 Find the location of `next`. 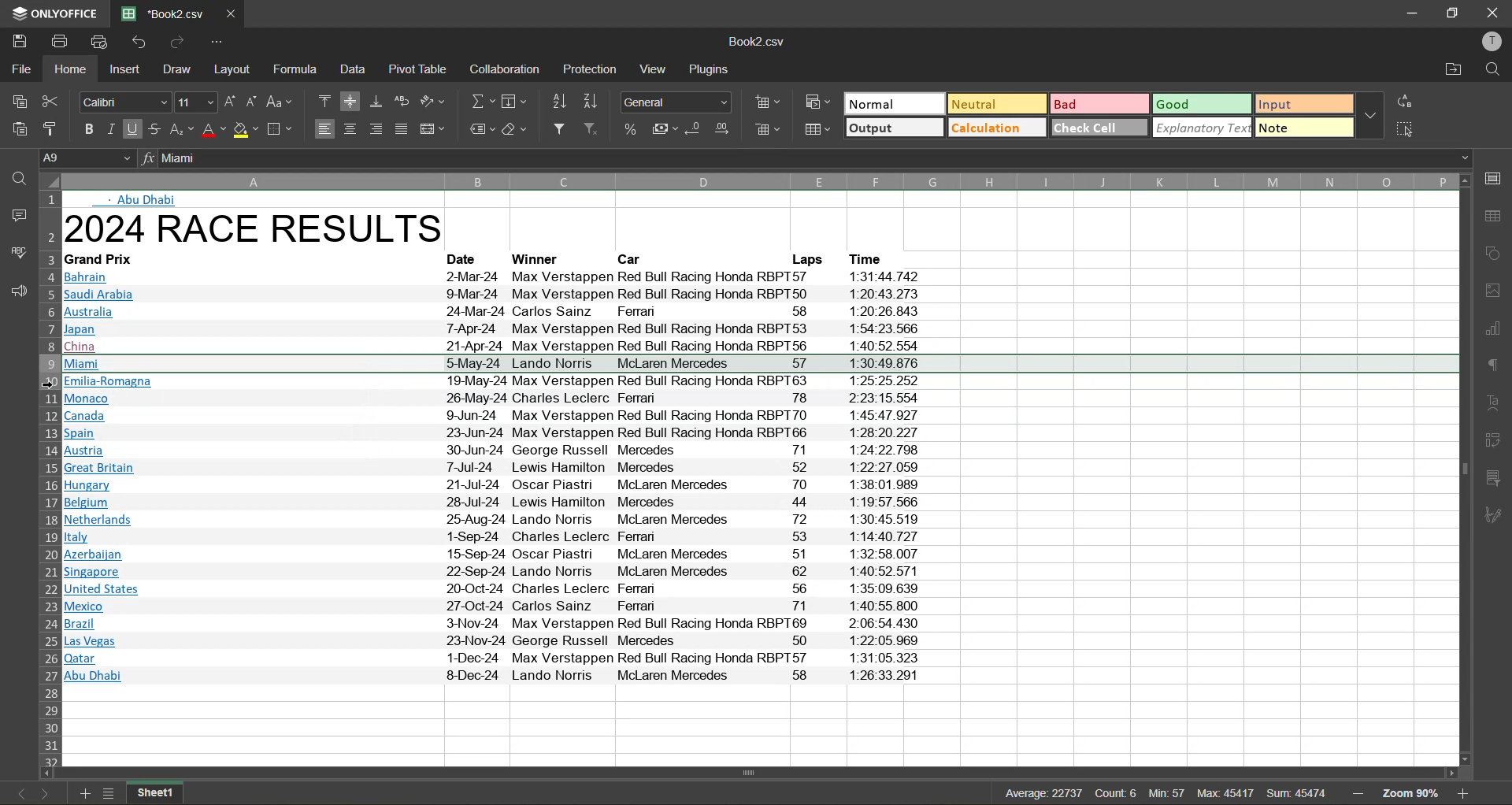

next is located at coordinates (46, 794).